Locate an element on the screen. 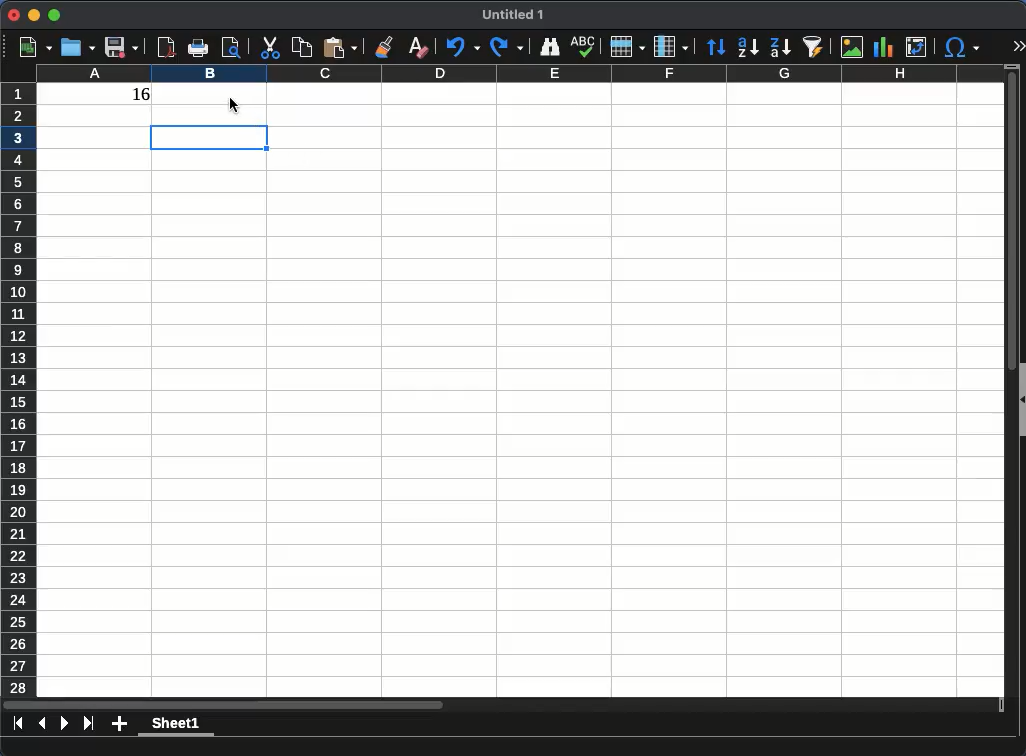 The height and width of the screenshot is (756, 1026). sort is located at coordinates (716, 47).